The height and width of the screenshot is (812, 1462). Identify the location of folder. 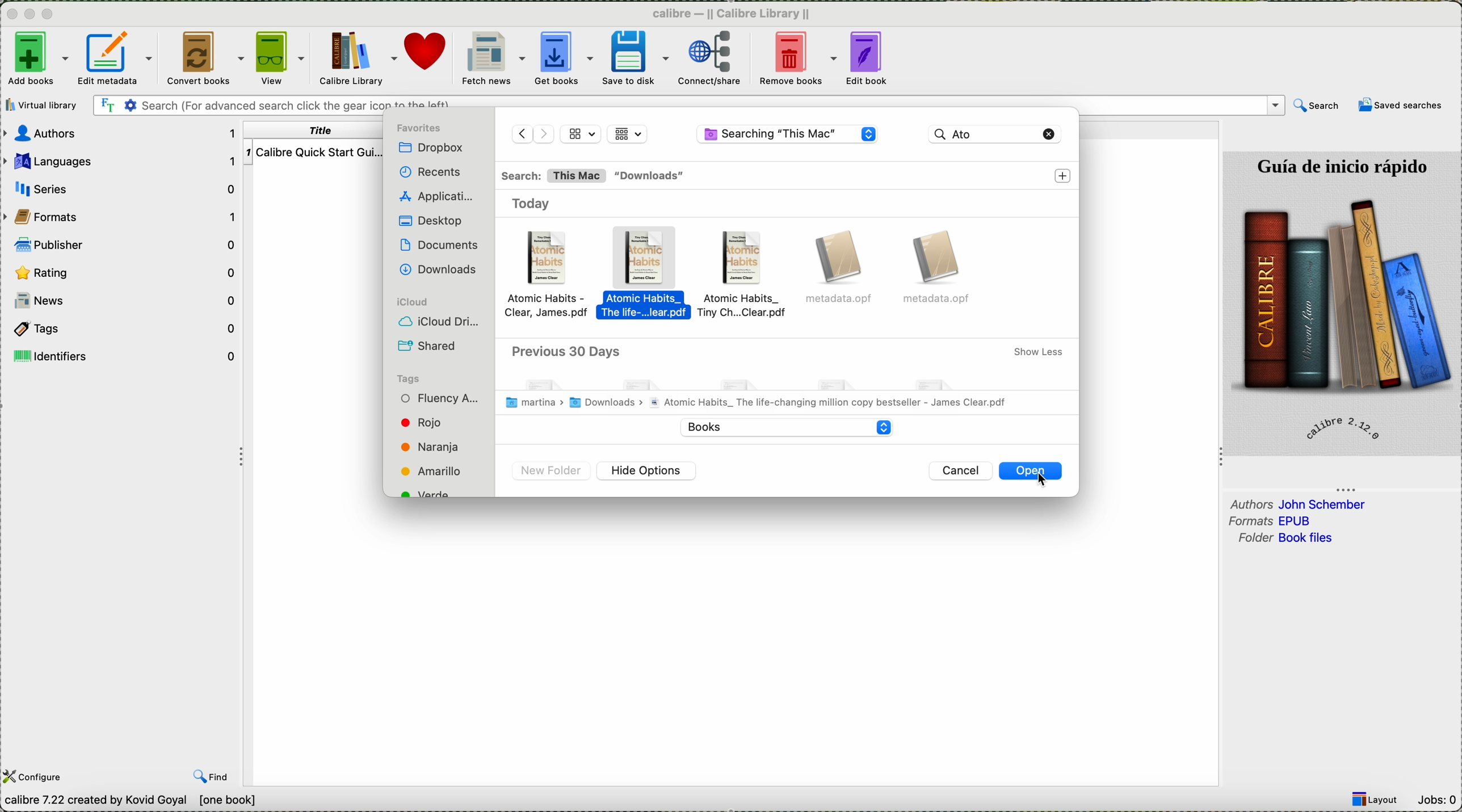
(1288, 539).